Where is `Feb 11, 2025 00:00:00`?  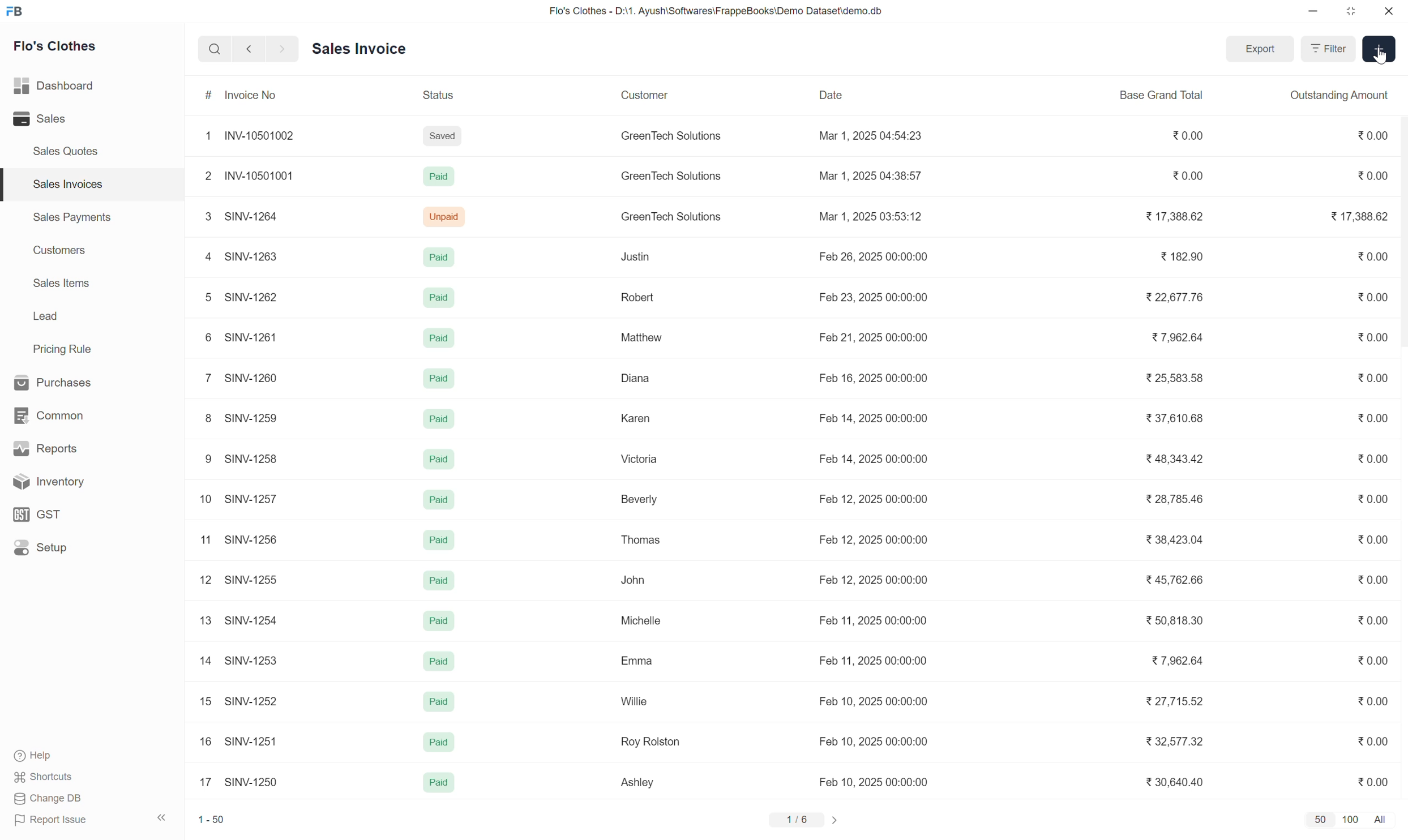
Feb 11, 2025 00:00:00 is located at coordinates (877, 622).